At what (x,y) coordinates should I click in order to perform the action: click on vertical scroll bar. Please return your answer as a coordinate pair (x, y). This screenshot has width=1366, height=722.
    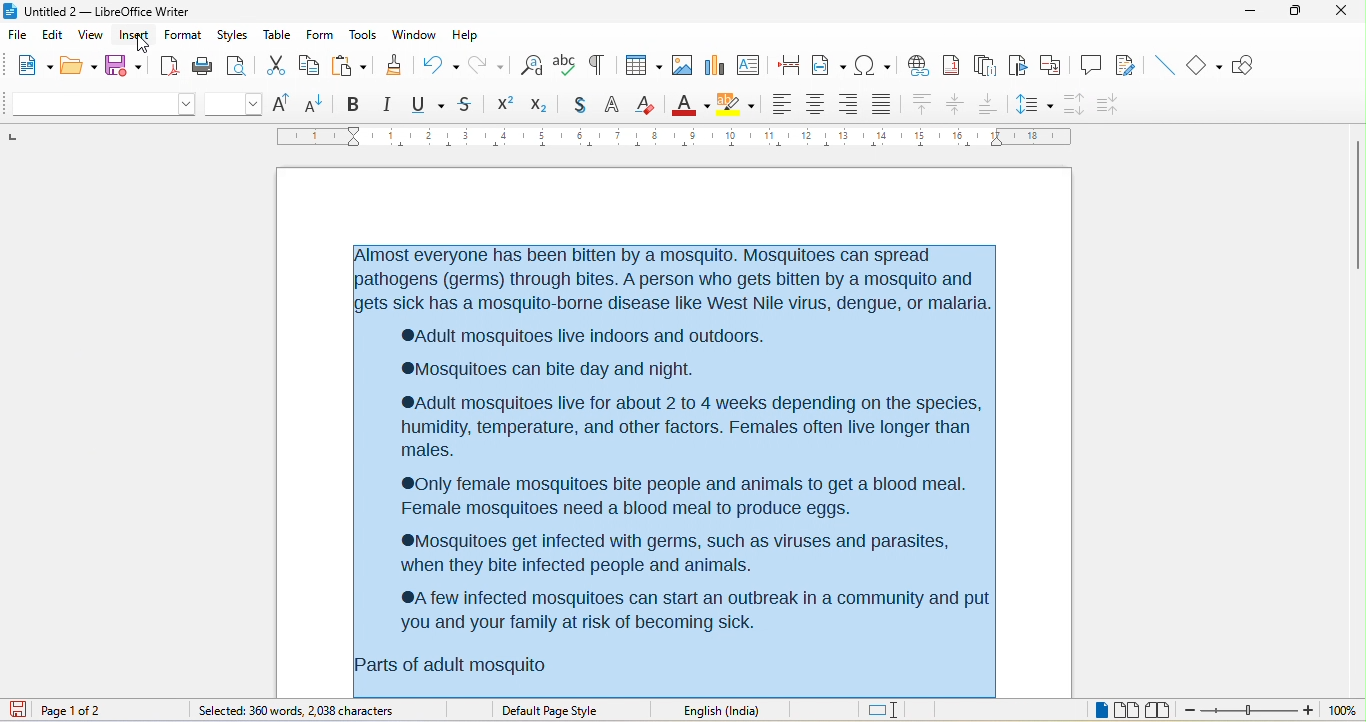
    Looking at the image, I should click on (1357, 205).